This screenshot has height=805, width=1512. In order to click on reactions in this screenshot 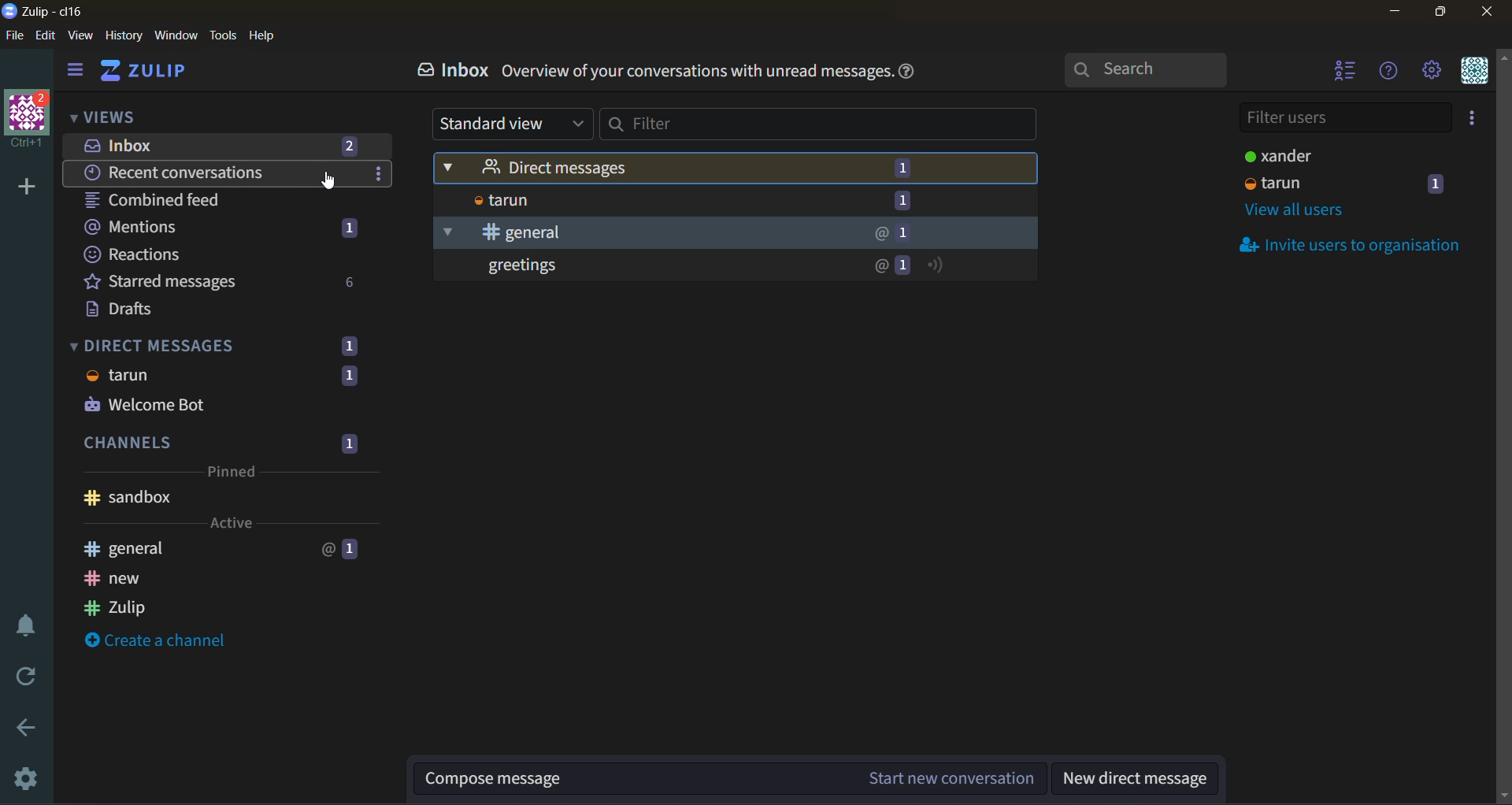, I will do `click(220, 252)`.